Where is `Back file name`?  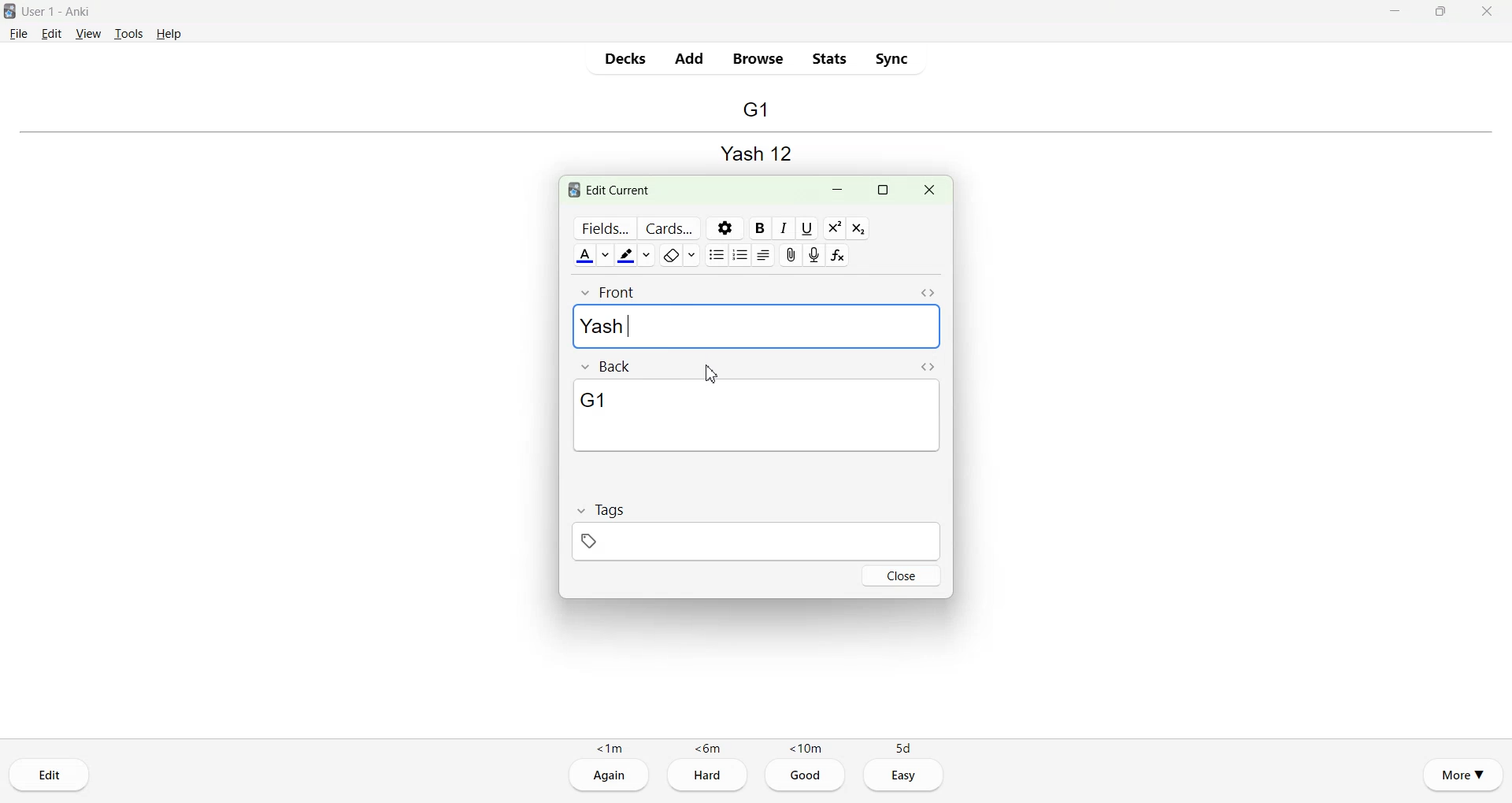
Back file name is located at coordinates (755, 110).